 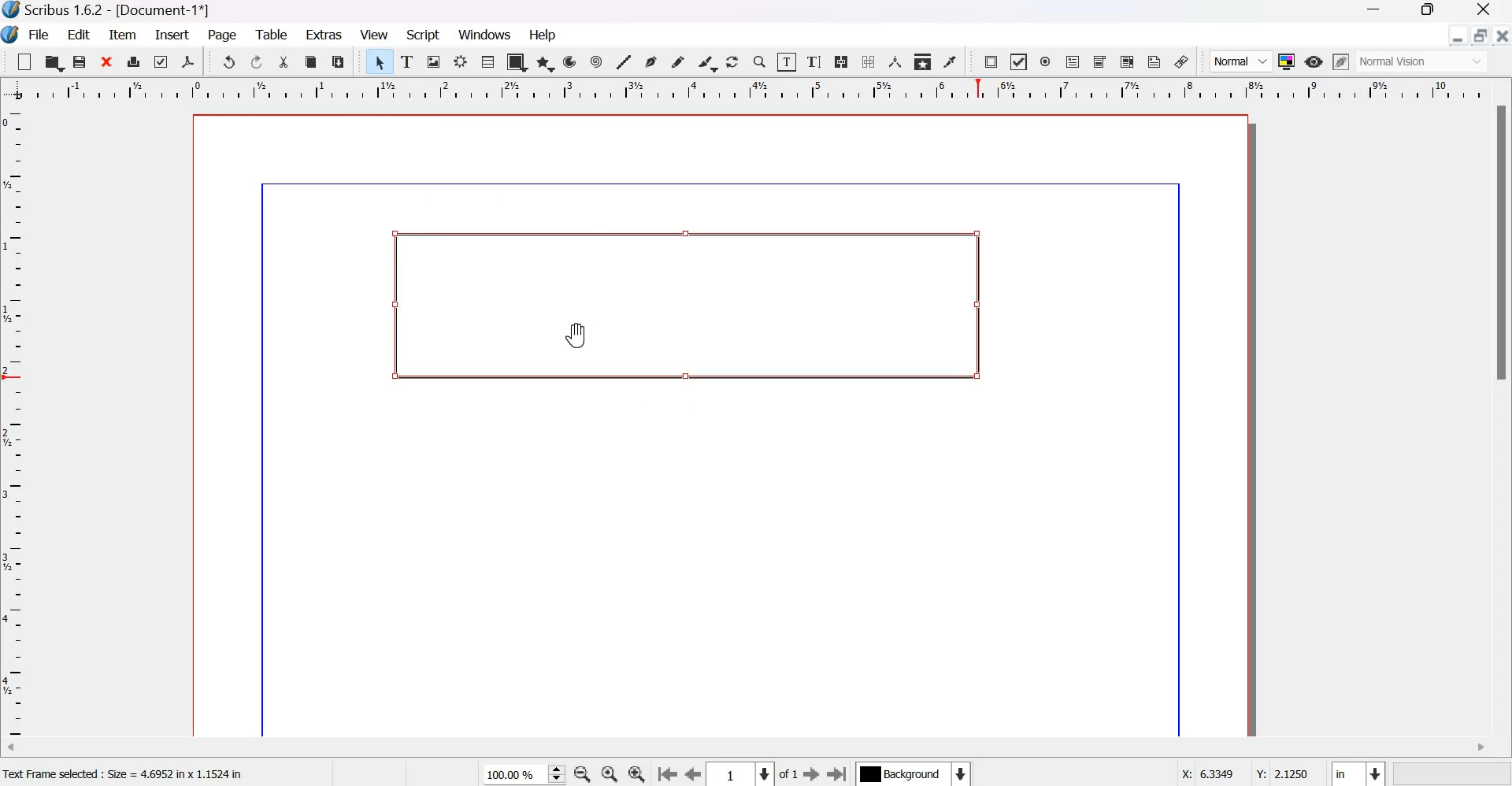 What do you see at coordinates (1480, 748) in the screenshot?
I see `Scroll right` at bounding box center [1480, 748].